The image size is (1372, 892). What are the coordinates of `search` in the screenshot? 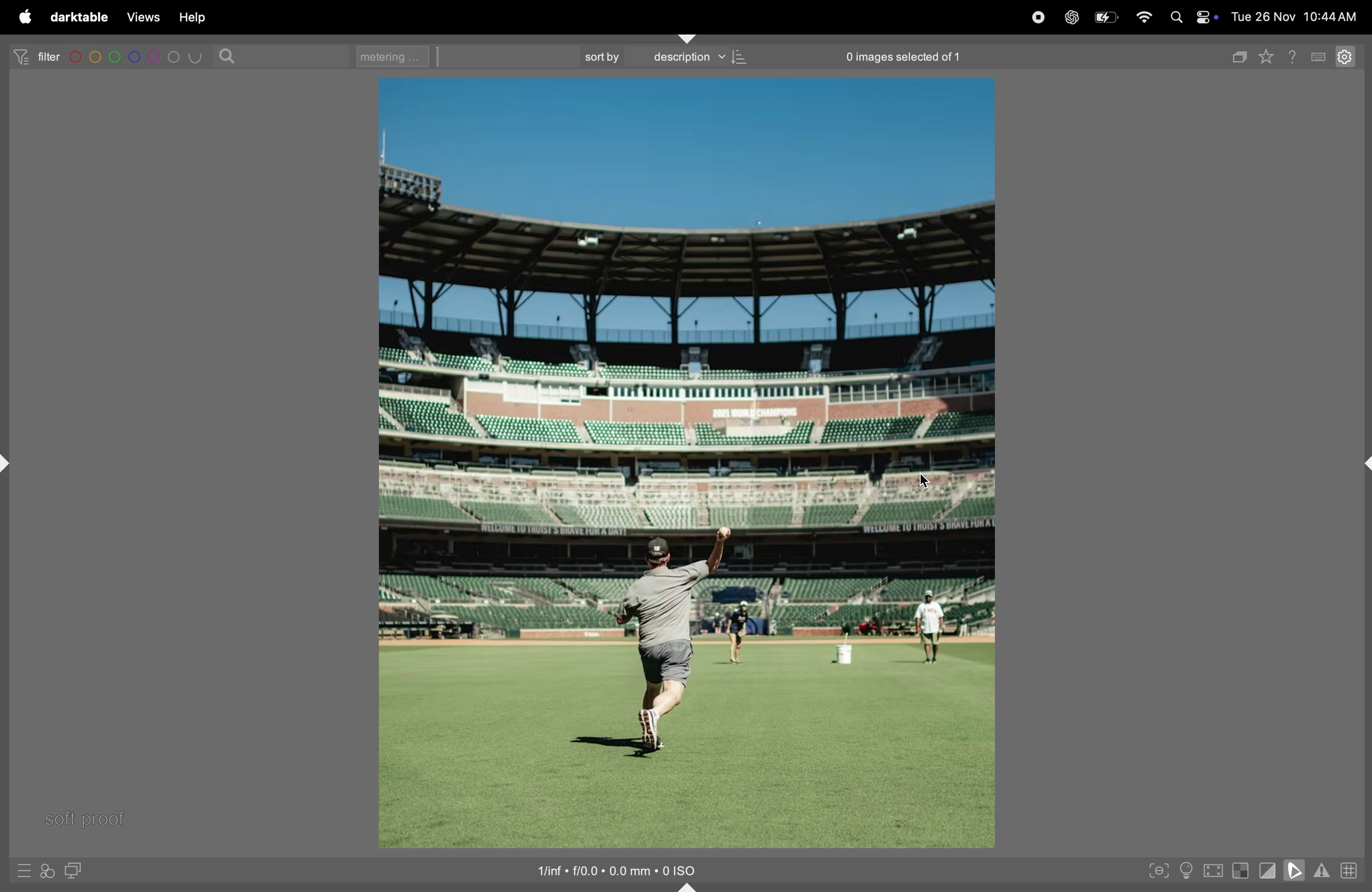 It's located at (282, 56).